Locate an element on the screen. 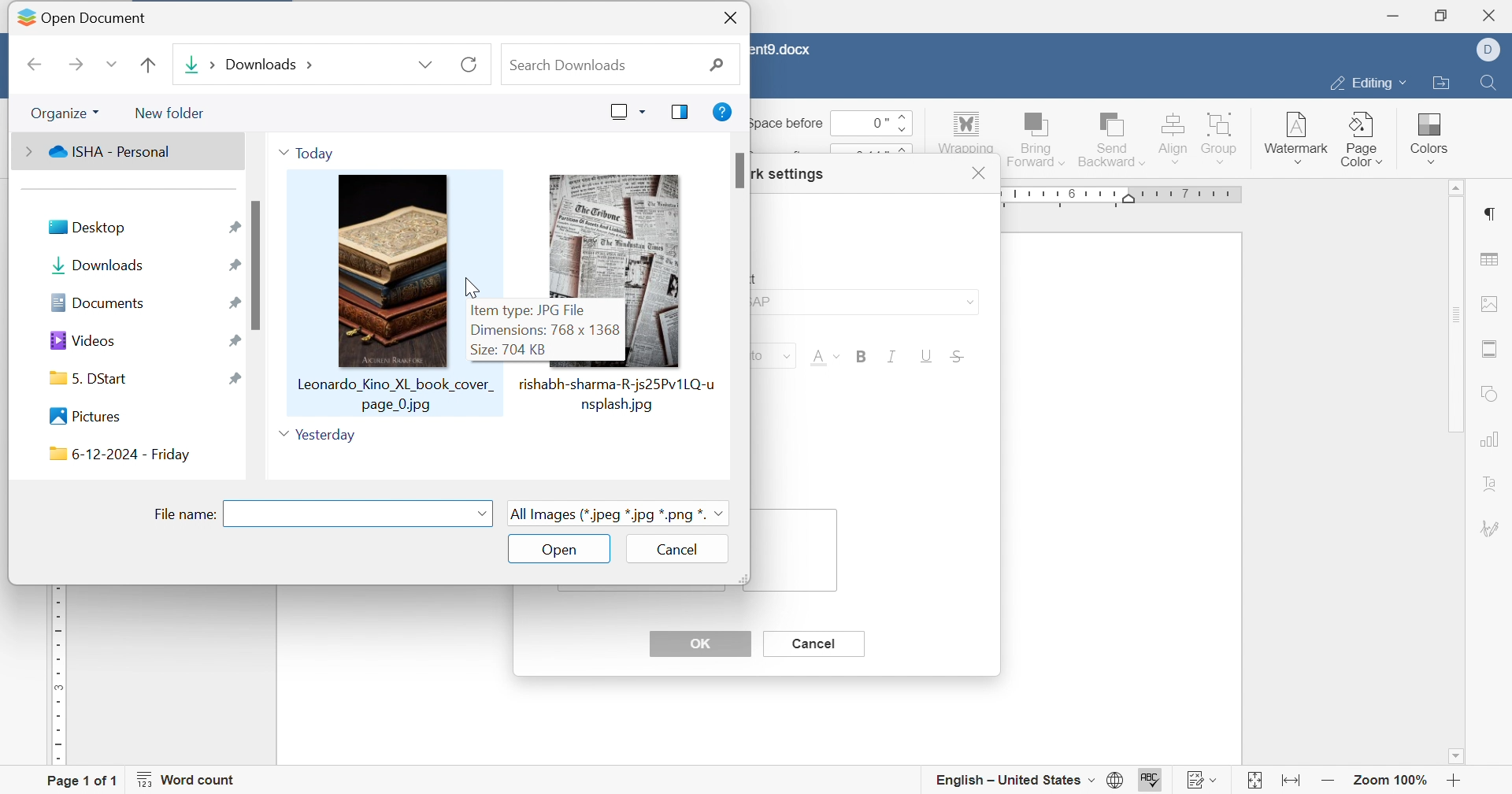 Image resolution: width=1512 pixels, height=794 pixels. drop down is located at coordinates (107, 65).